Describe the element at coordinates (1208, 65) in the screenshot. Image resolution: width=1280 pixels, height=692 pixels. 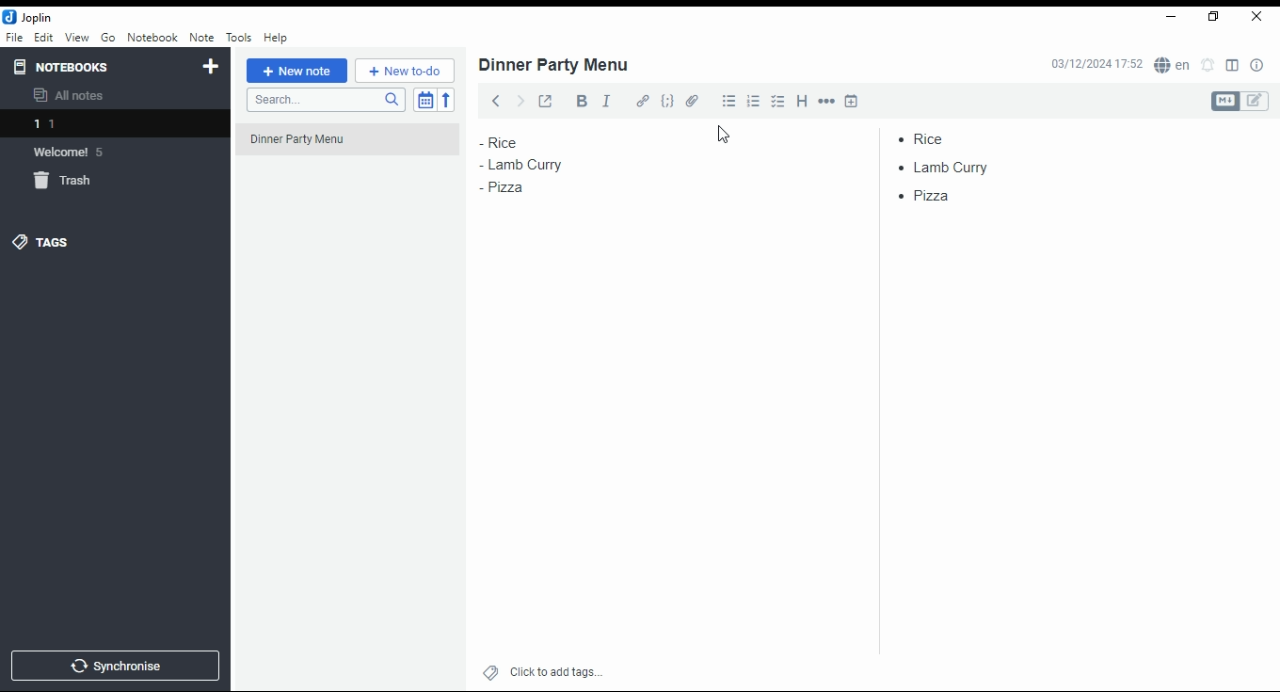
I see `set alarm` at that location.